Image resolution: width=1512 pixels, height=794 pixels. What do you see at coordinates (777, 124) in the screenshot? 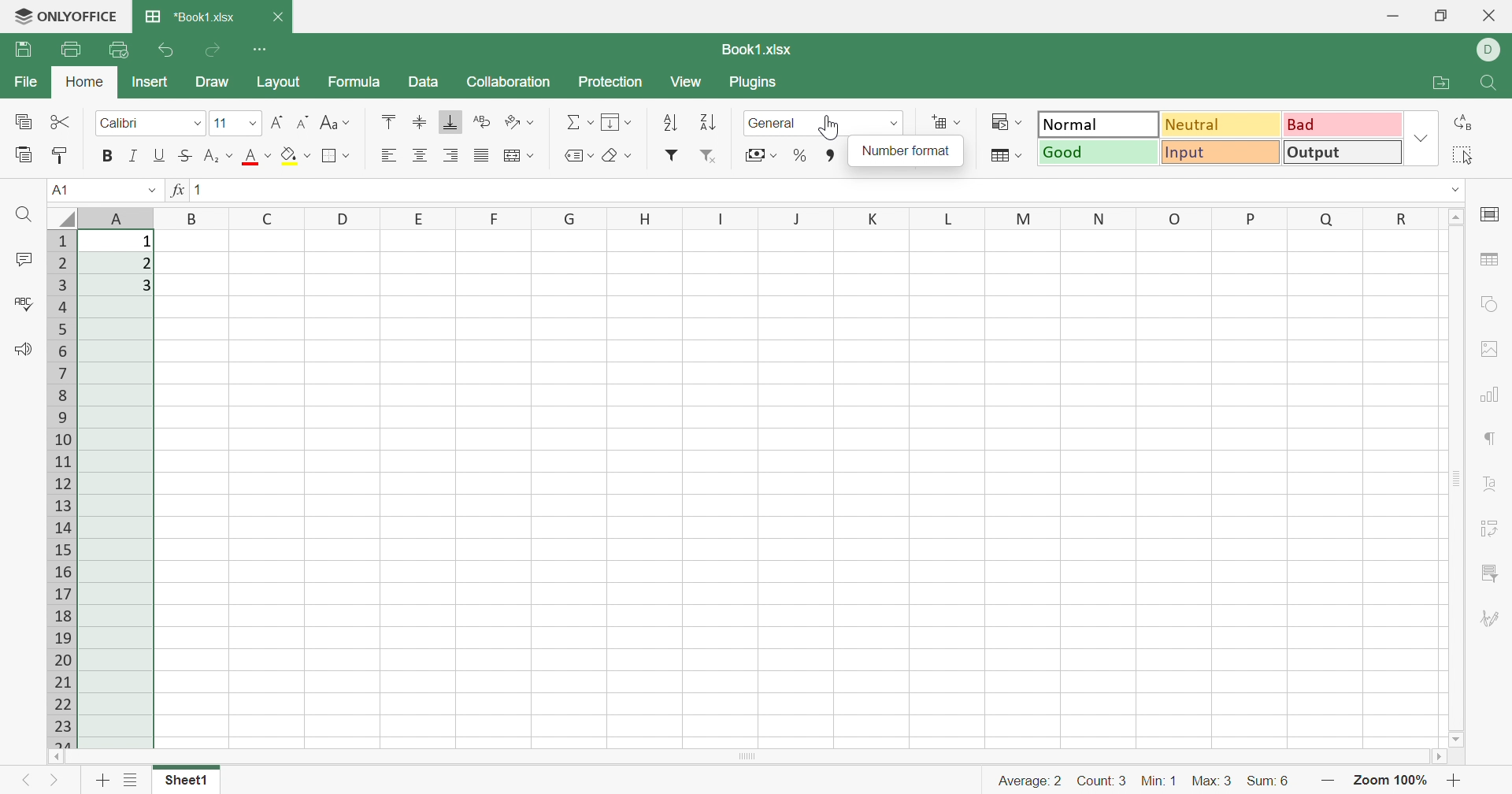
I see `Number format` at bounding box center [777, 124].